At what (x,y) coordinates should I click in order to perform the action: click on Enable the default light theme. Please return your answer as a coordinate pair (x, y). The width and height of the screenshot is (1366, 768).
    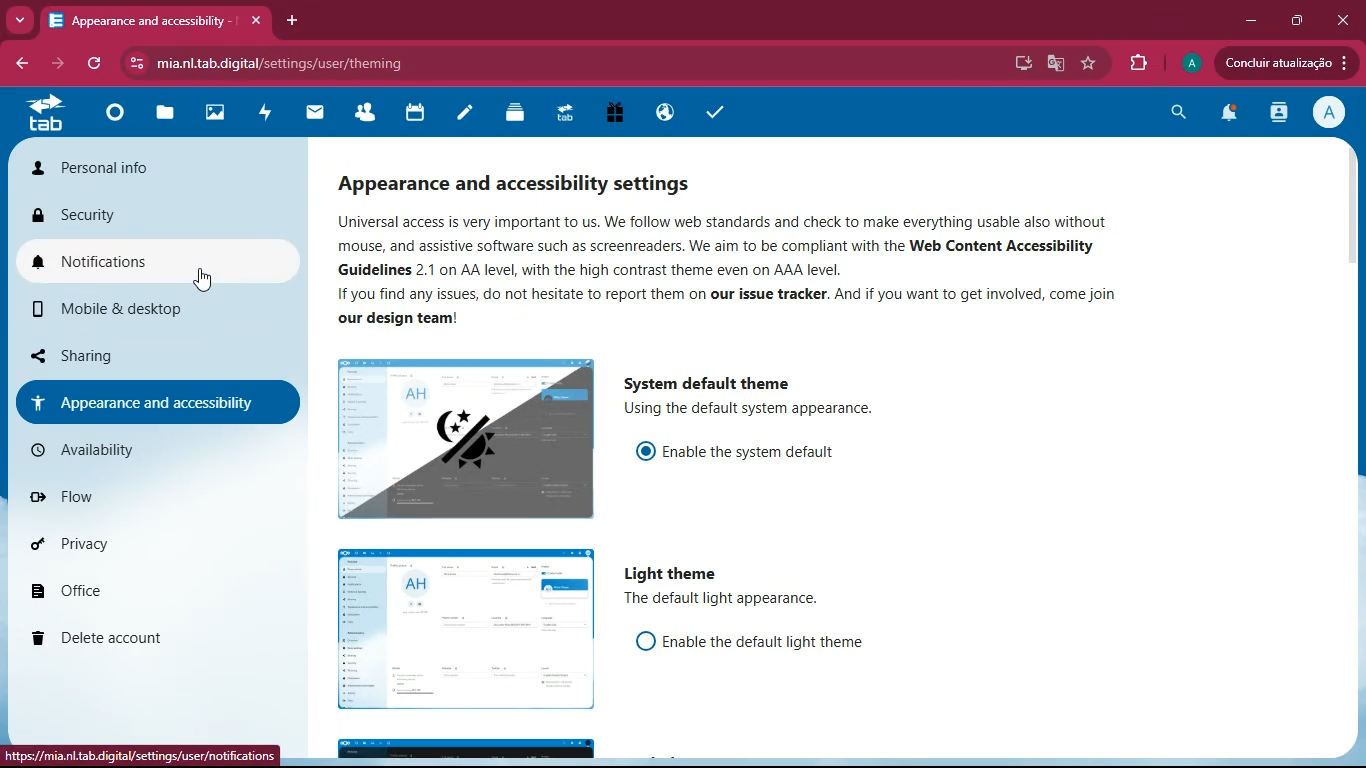
    Looking at the image, I should click on (755, 644).